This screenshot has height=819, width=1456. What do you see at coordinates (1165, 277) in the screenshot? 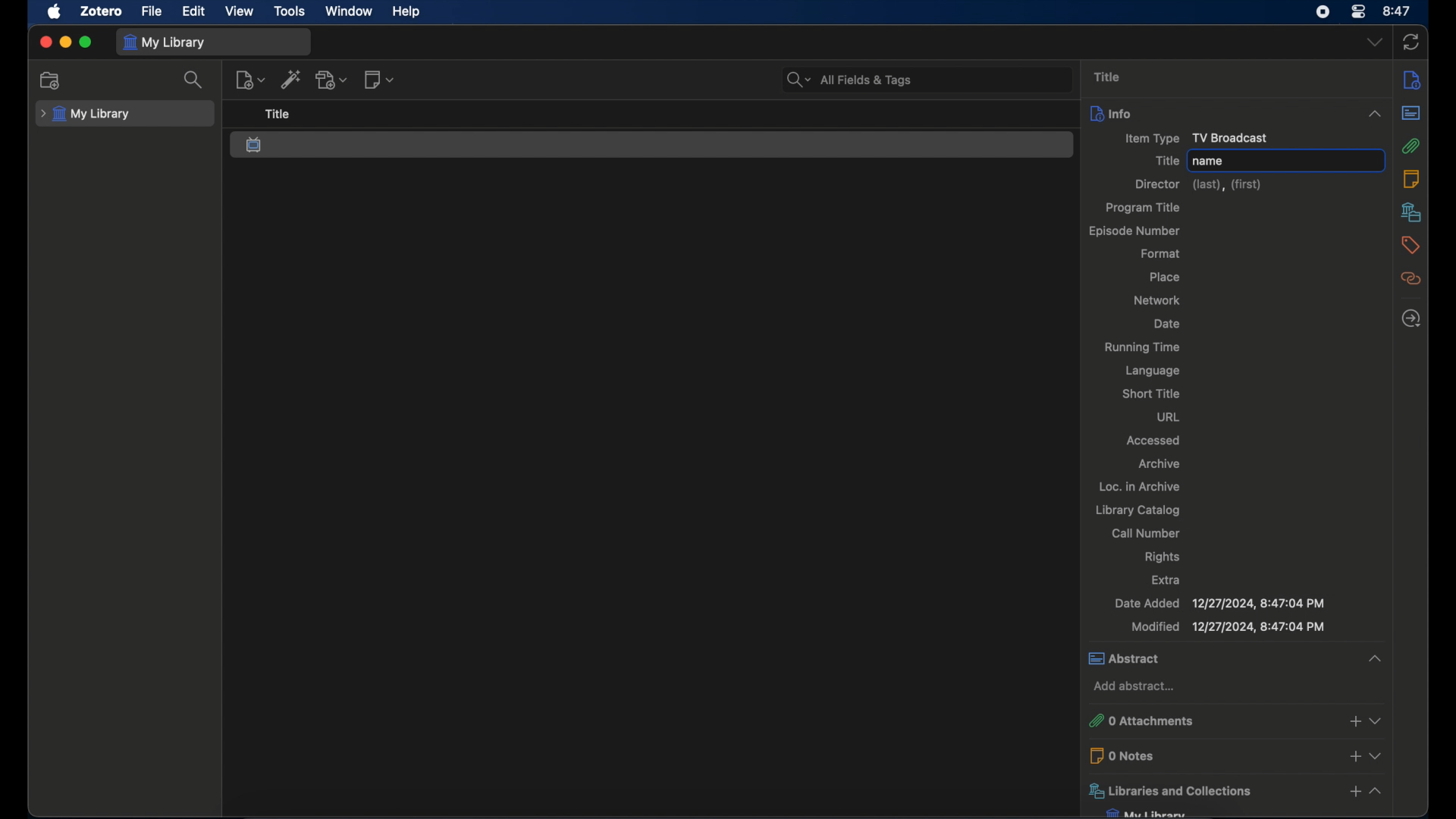
I see `place` at bounding box center [1165, 277].